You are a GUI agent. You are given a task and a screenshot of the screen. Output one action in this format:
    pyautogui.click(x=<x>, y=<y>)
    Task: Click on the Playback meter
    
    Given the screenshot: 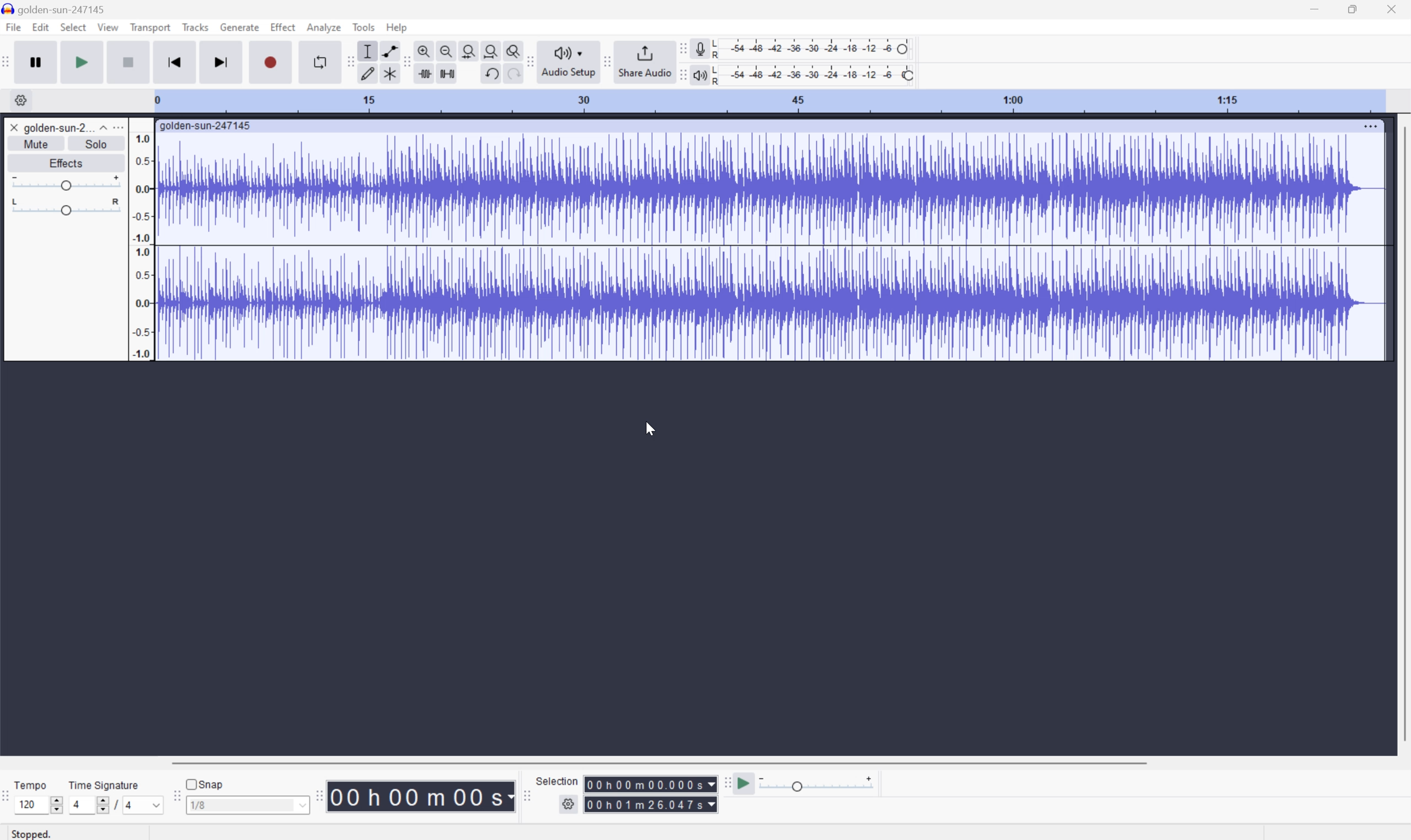 What is the action you would take?
    pyautogui.click(x=700, y=76)
    